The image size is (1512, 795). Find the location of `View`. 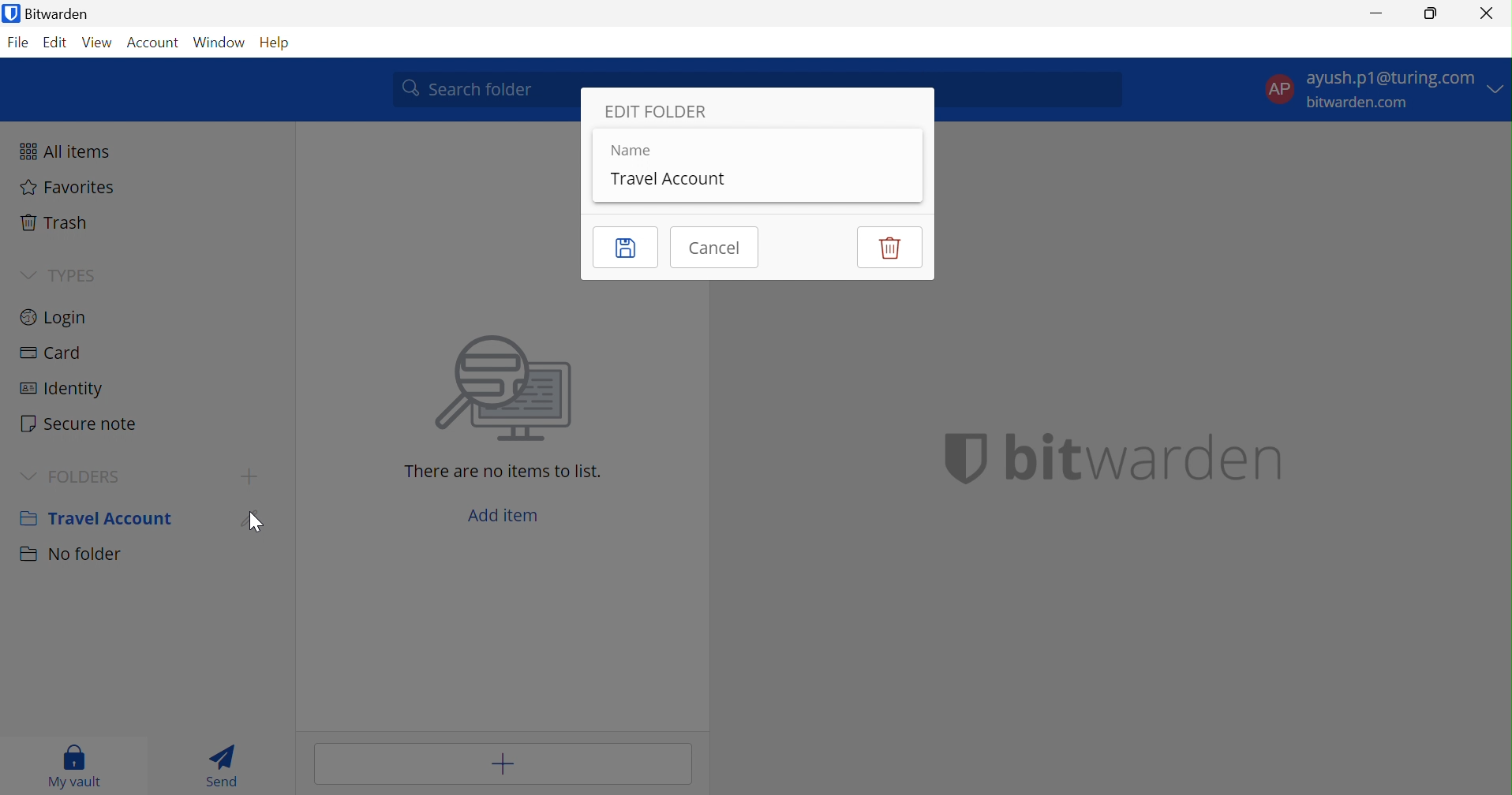

View is located at coordinates (99, 42).